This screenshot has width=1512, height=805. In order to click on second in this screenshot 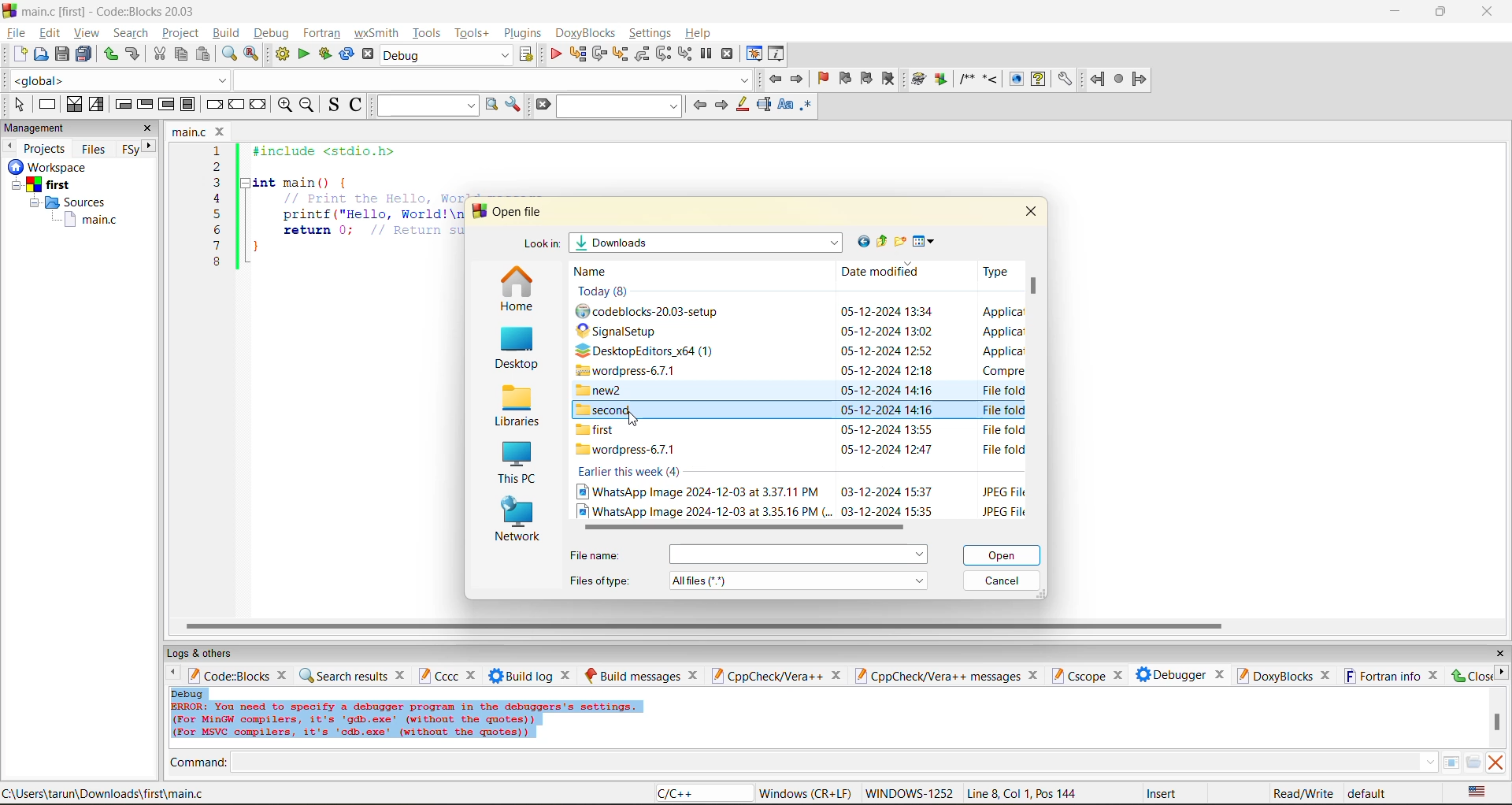, I will do `click(606, 410)`.